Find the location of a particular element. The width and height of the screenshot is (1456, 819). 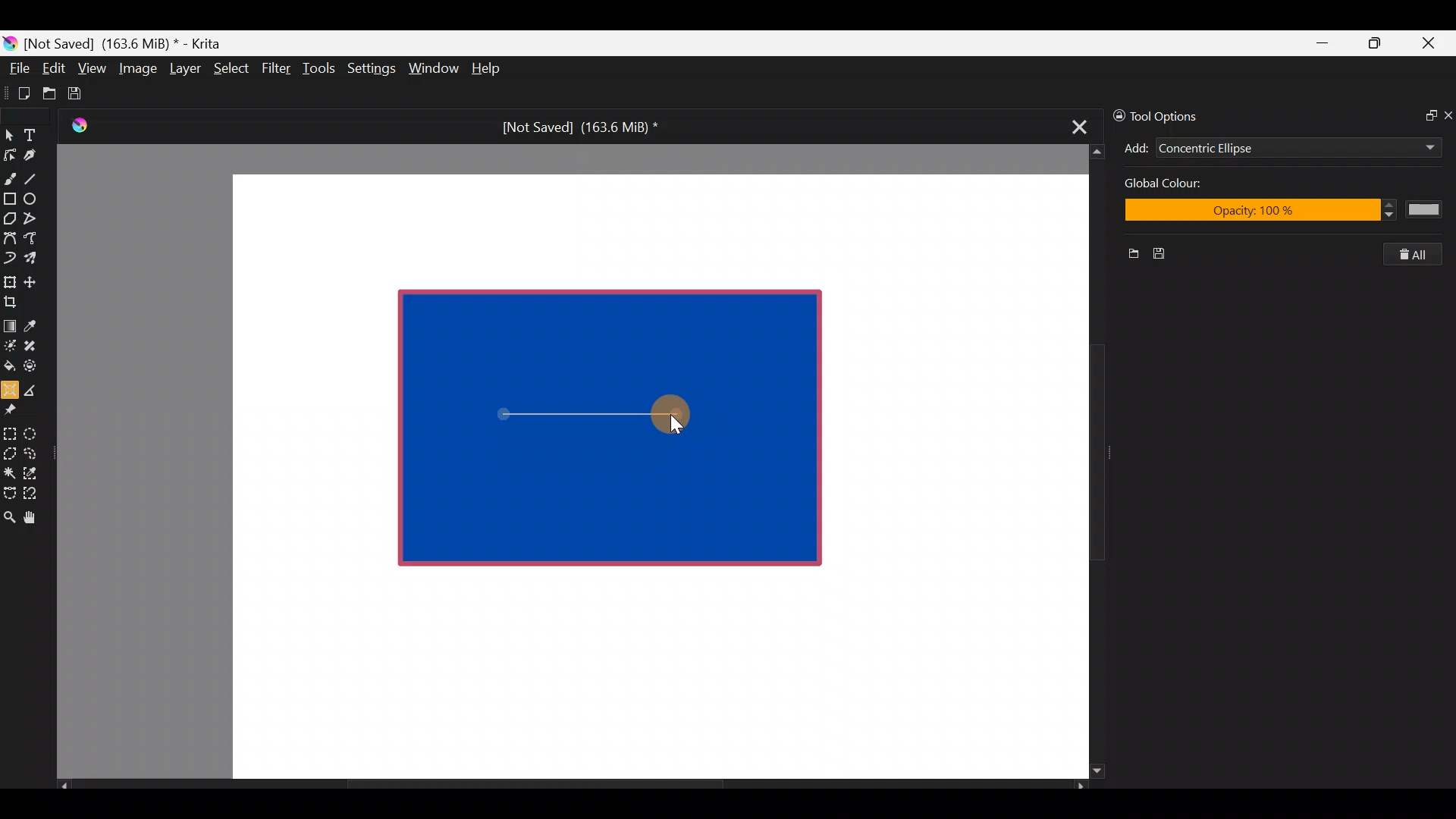

Move a layer is located at coordinates (35, 280).